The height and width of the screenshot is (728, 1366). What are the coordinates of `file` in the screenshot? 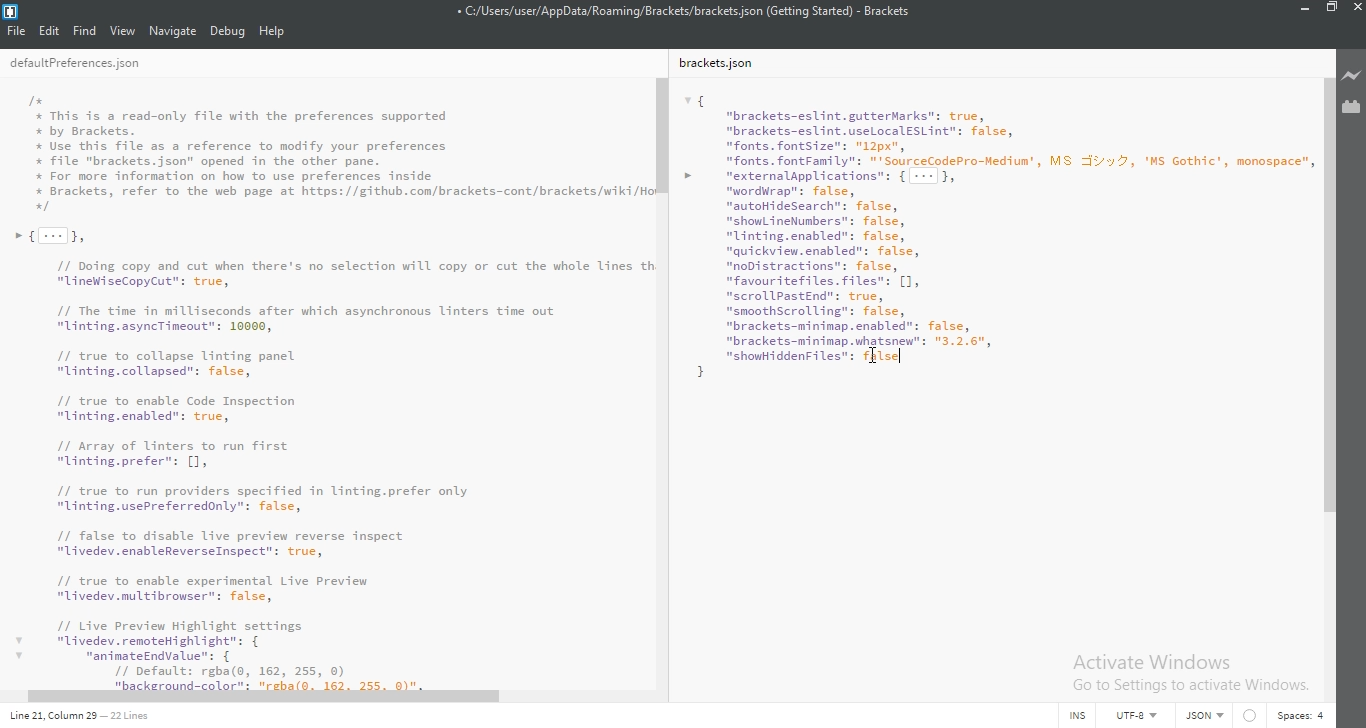 It's located at (15, 31).